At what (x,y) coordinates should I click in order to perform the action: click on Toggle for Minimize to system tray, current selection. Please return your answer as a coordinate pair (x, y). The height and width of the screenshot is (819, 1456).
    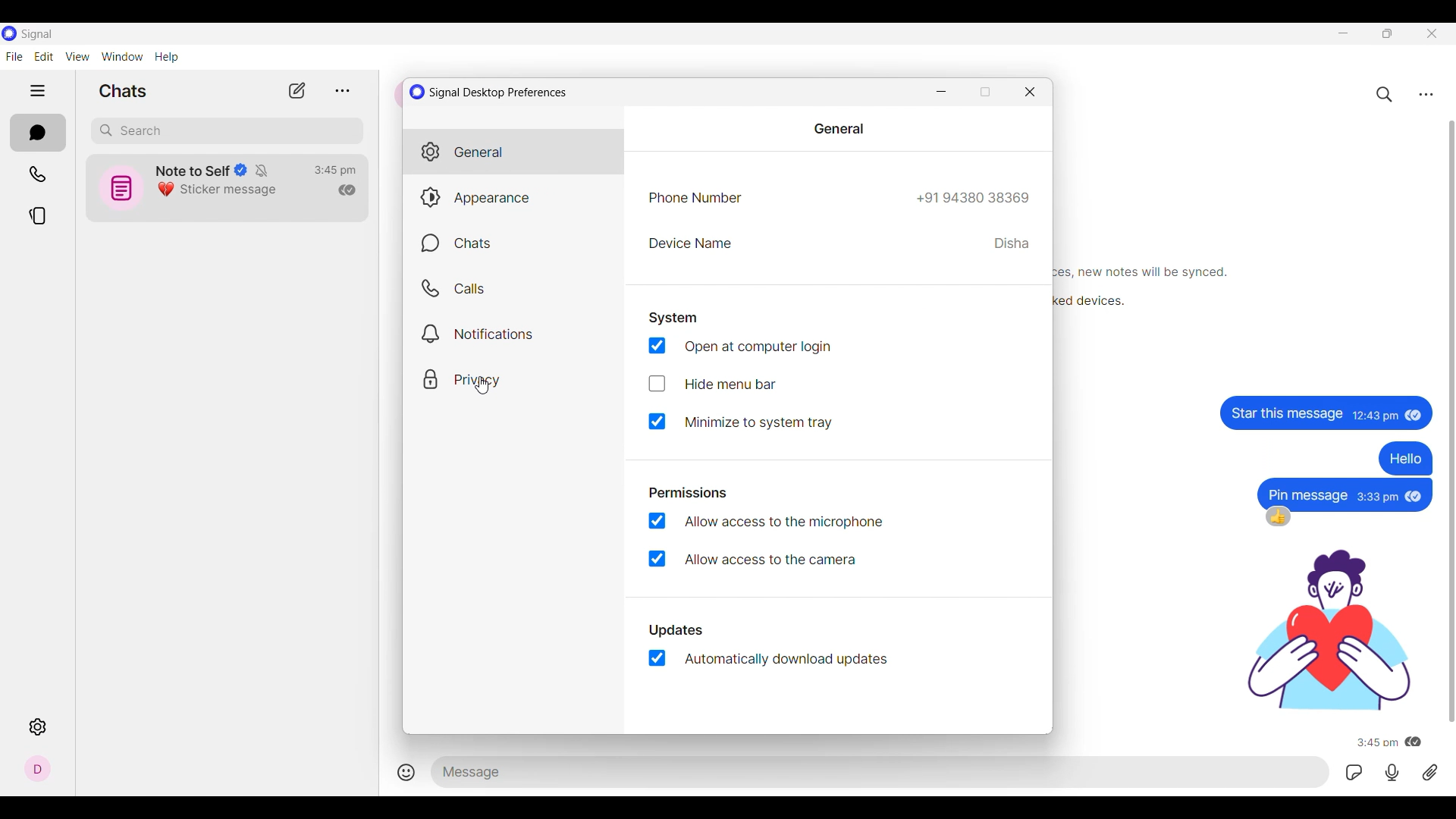
    Looking at the image, I should click on (739, 422).